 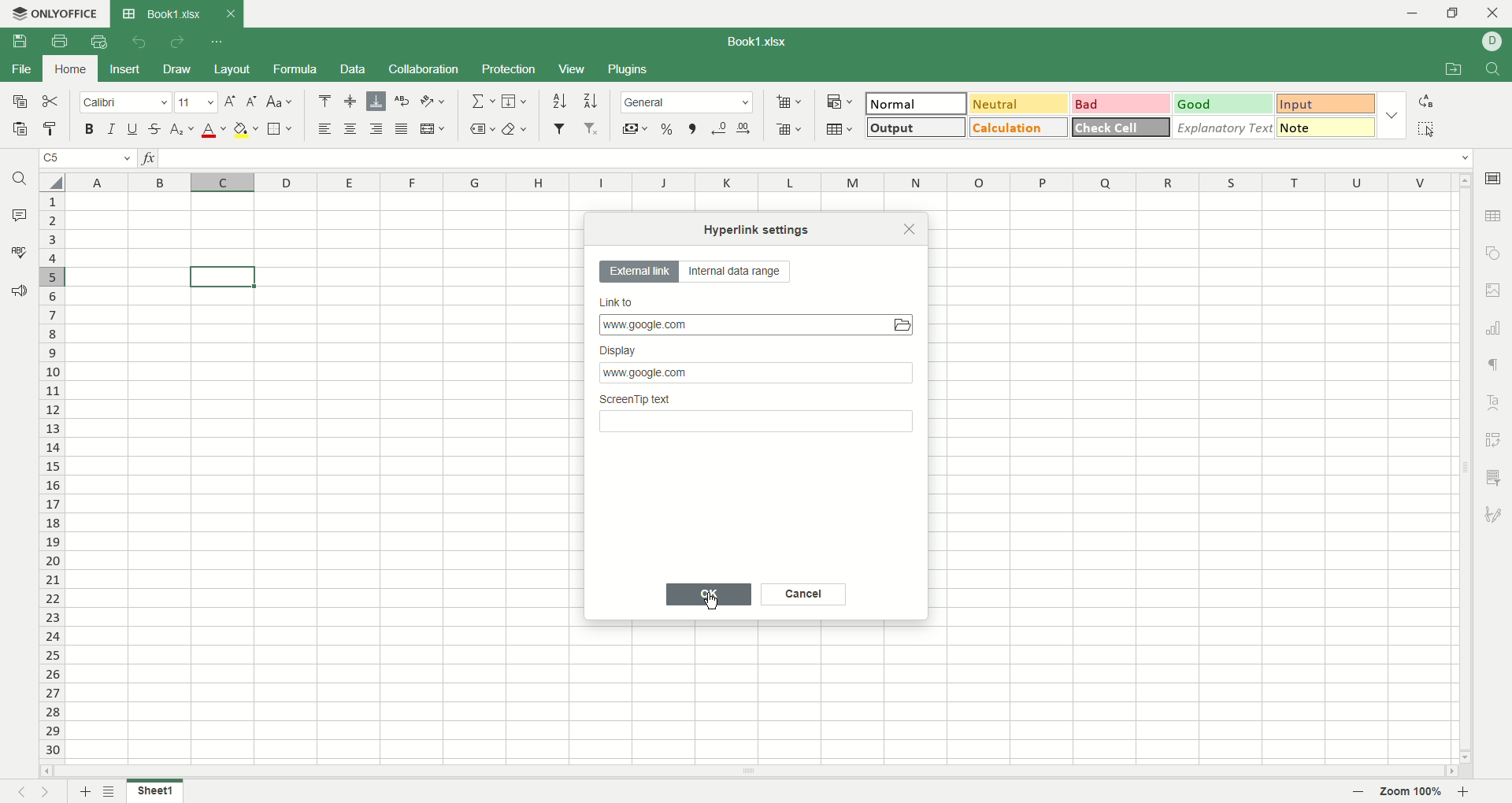 What do you see at coordinates (1326, 127) in the screenshot?
I see `note` at bounding box center [1326, 127].